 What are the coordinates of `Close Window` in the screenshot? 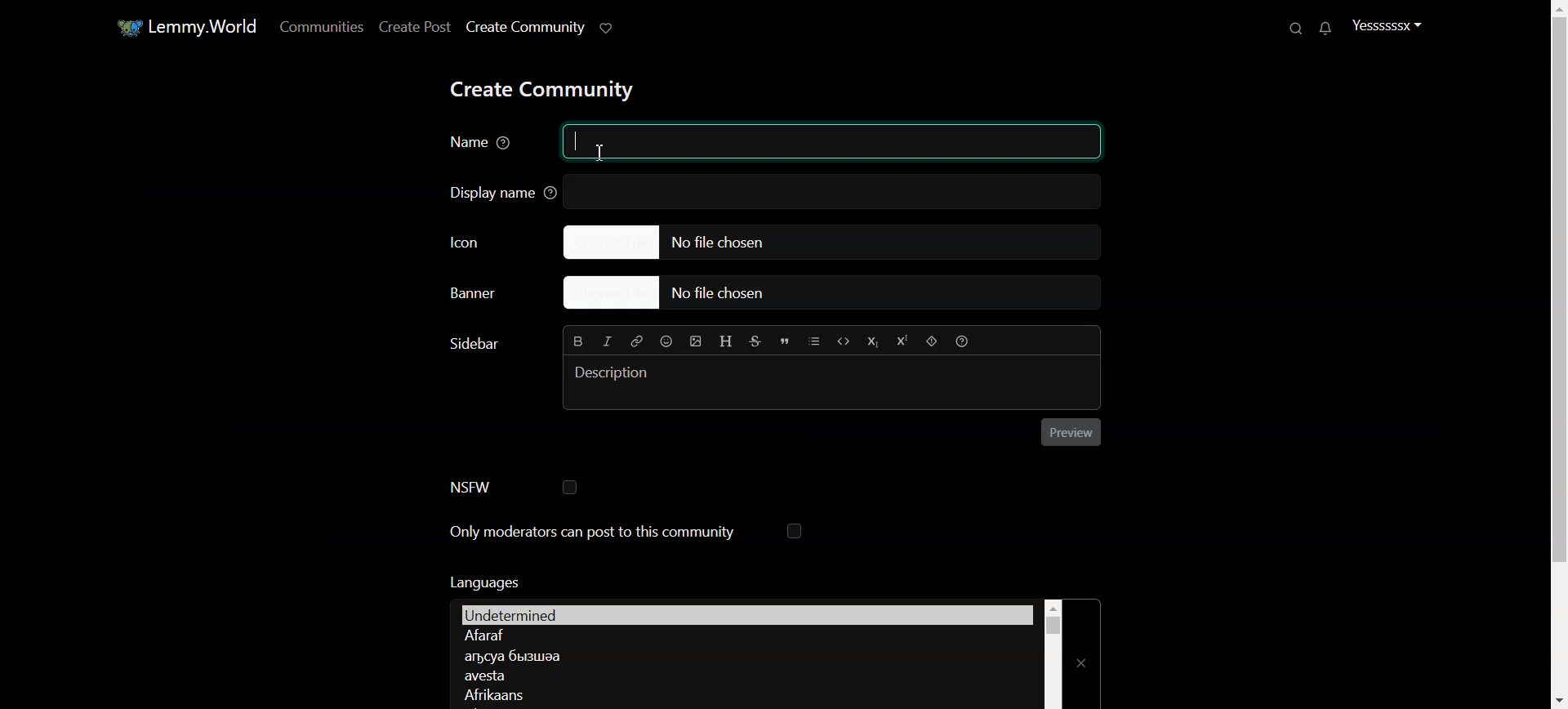 It's located at (1083, 653).